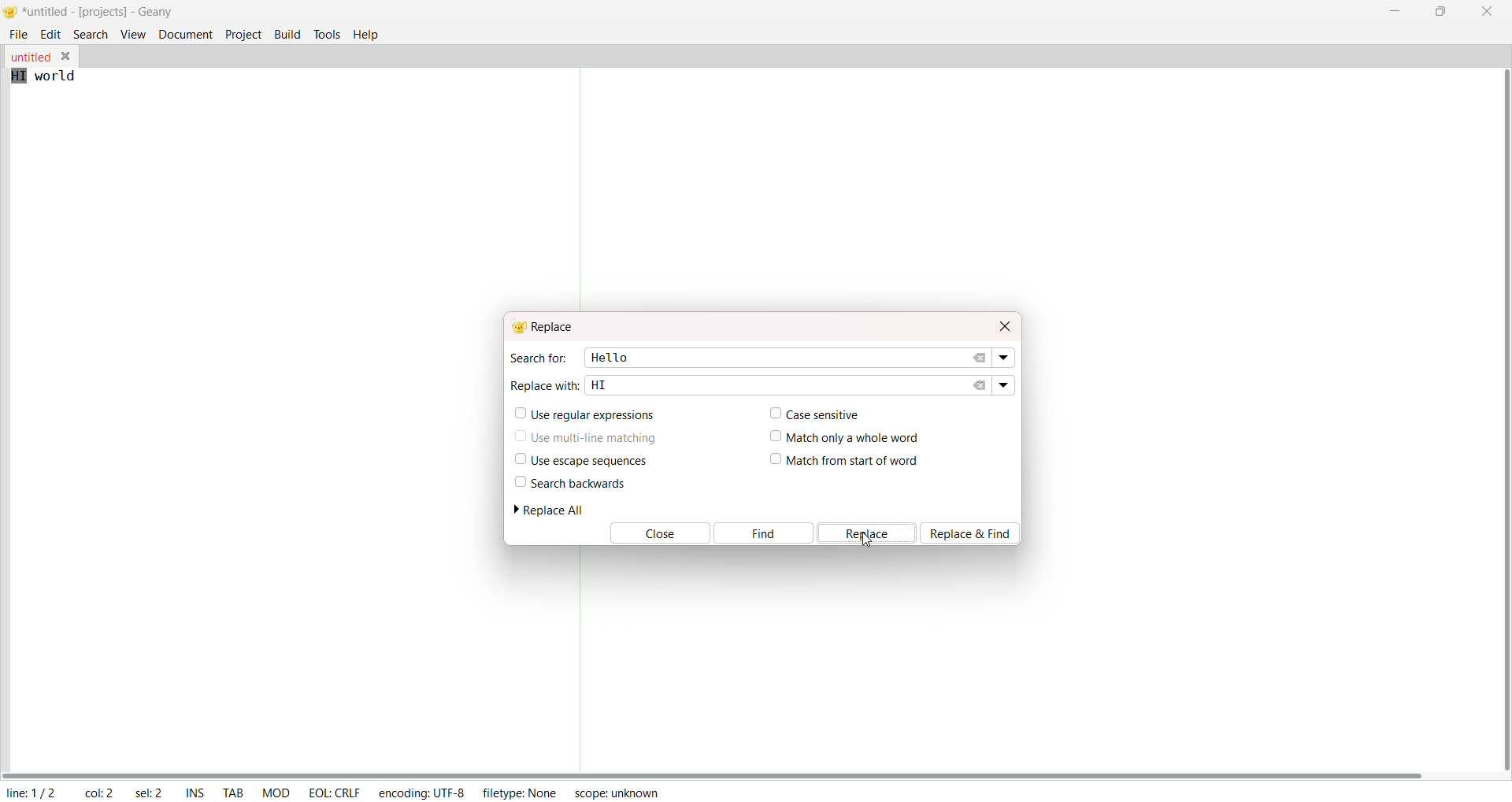  I want to click on match from start of word, so click(845, 462).